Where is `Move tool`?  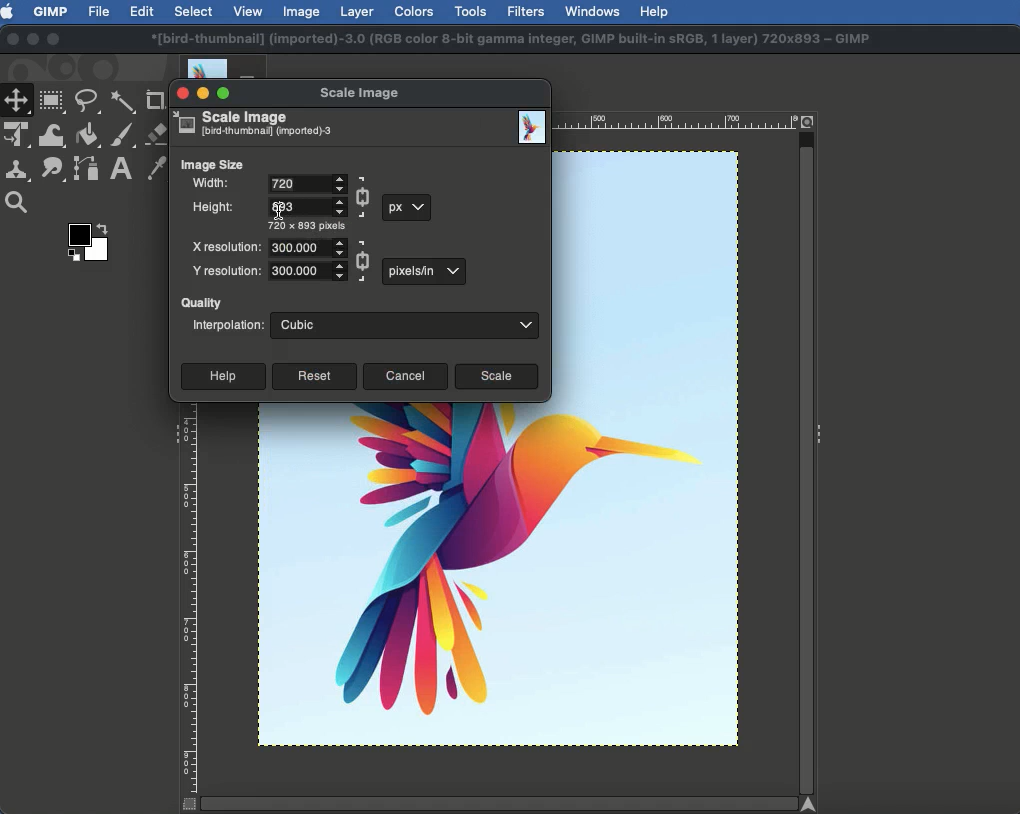
Move tool is located at coordinates (17, 101).